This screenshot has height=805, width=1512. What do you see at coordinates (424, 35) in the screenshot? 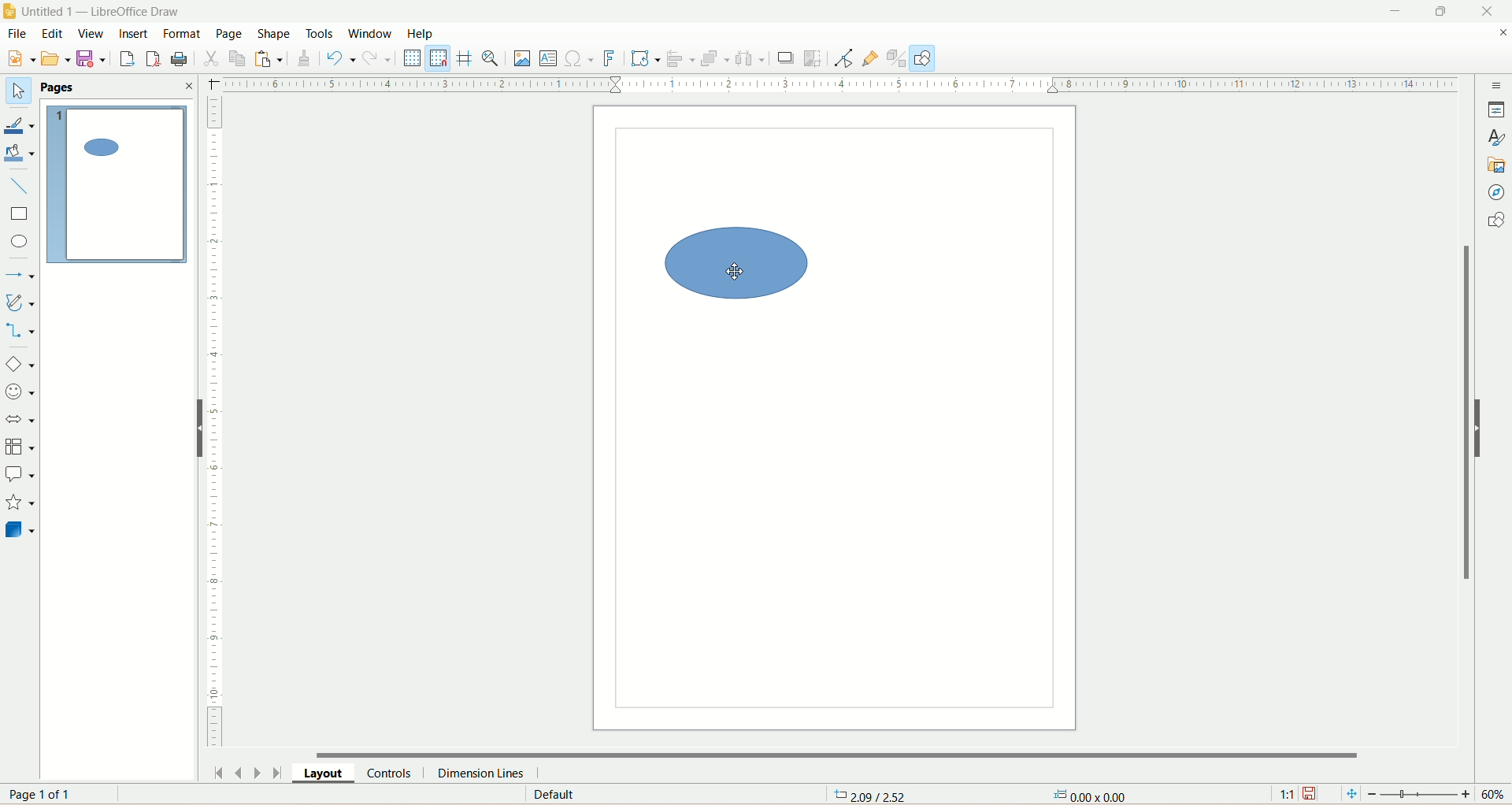
I see `help` at bounding box center [424, 35].